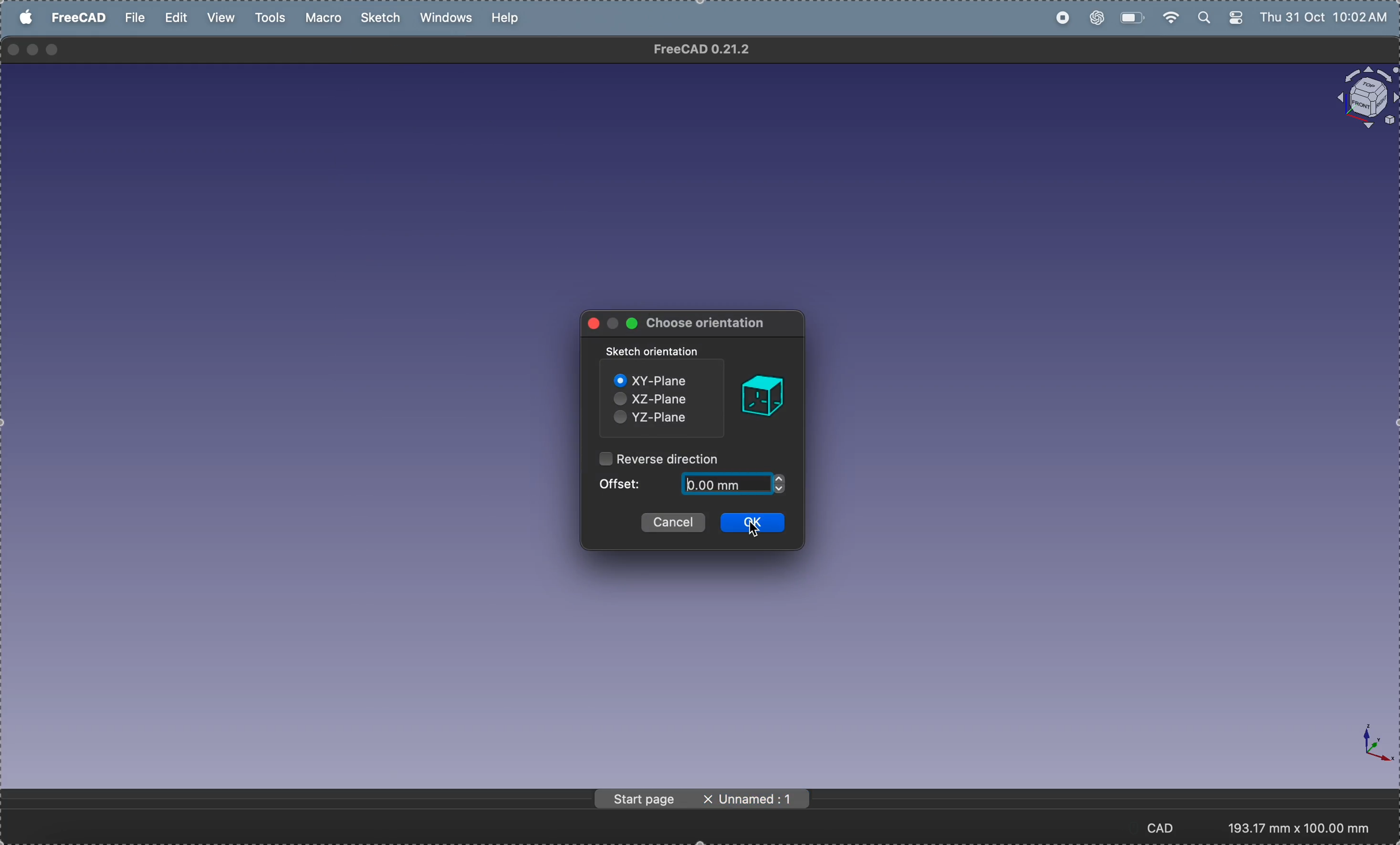  Describe the element at coordinates (450, 19) in the screenshot. I see `windows` at that location.